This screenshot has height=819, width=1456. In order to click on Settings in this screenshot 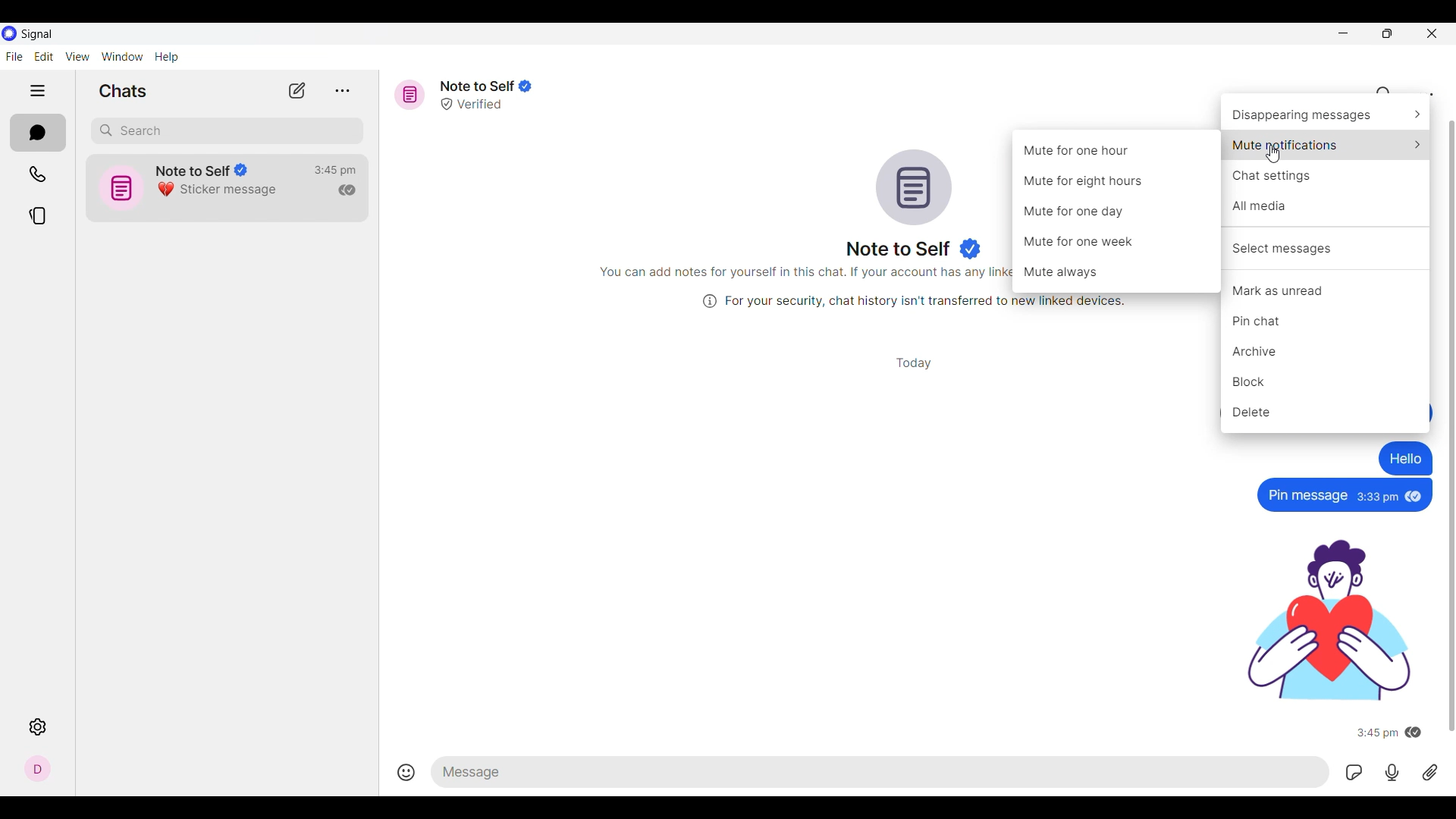, I will do `click(37, 726)`.